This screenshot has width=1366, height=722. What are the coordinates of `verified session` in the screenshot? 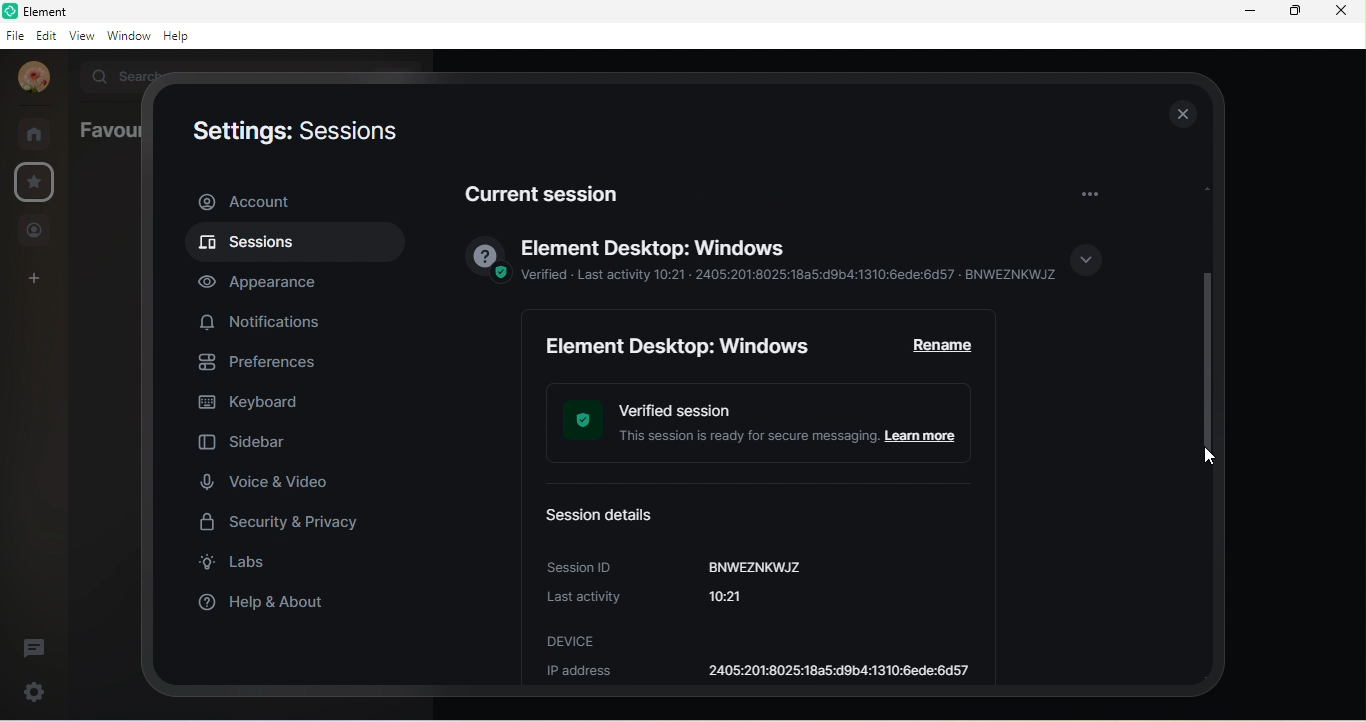 It's located at (769, 425).